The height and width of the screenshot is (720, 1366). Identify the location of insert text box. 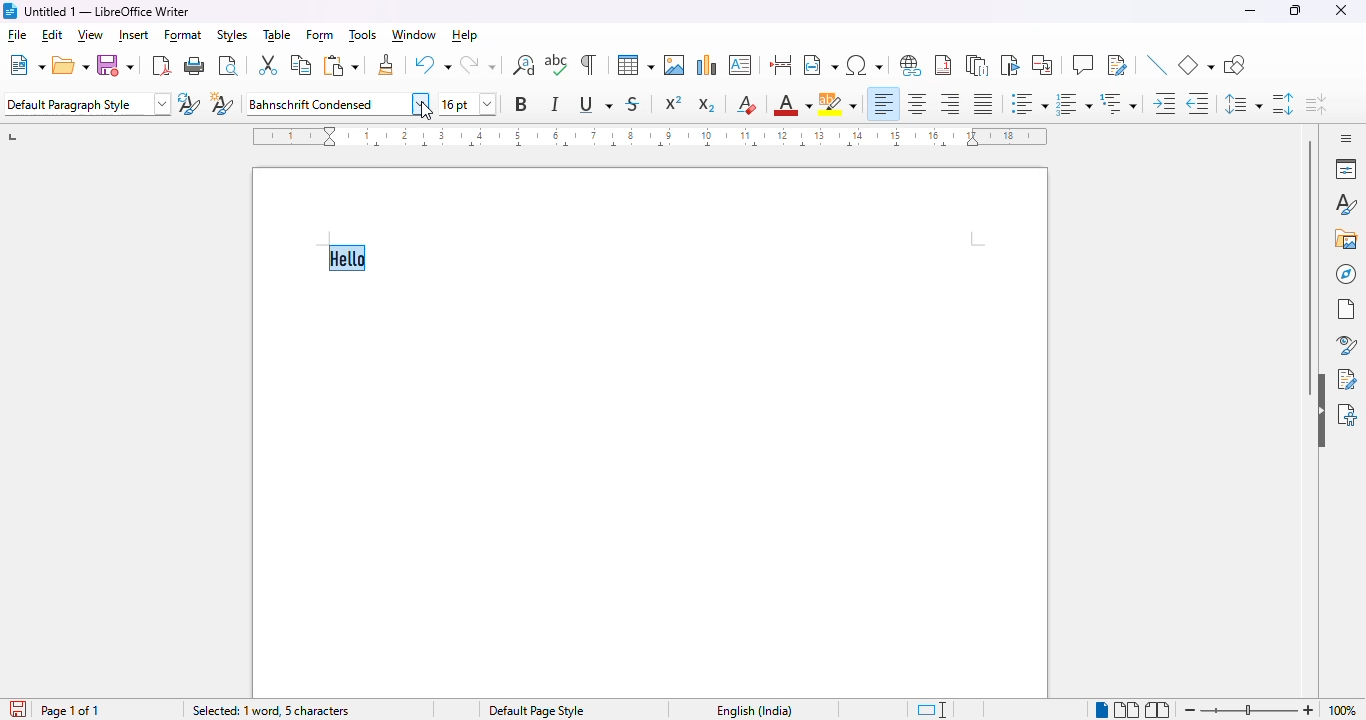
(740, 65).